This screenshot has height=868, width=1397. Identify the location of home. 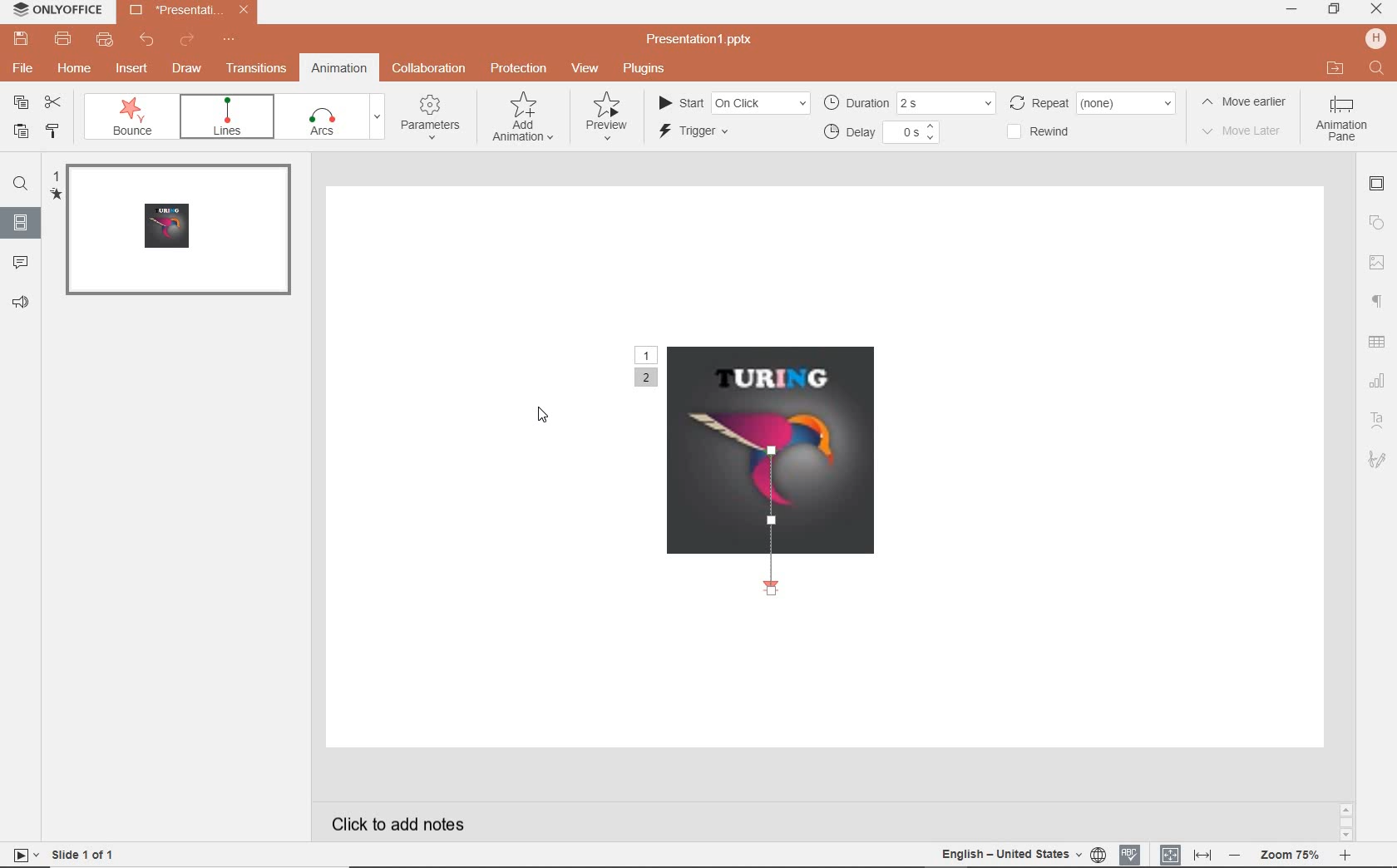
(72, 67).